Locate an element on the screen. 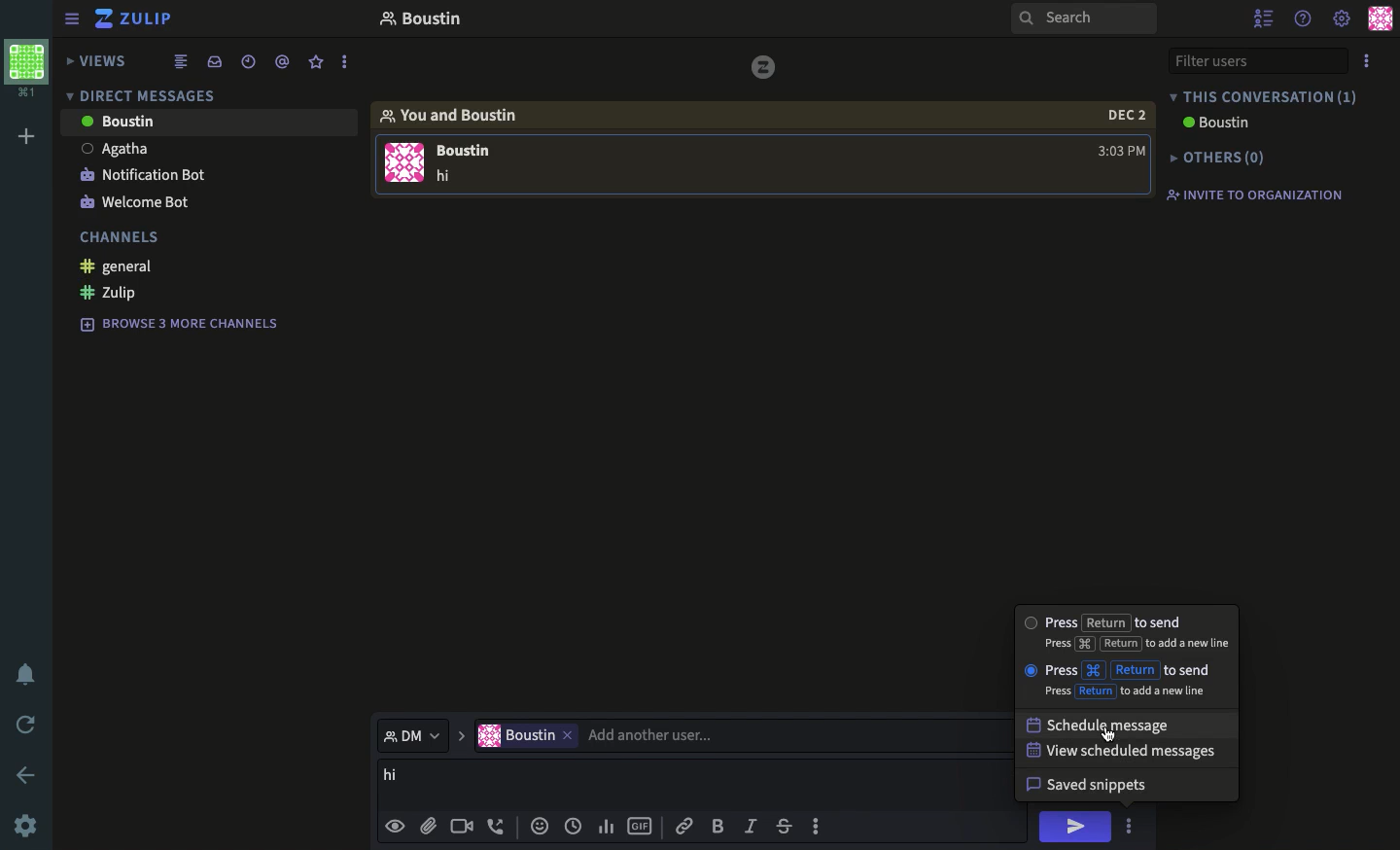  zulip is located at coordinates (134, 18).